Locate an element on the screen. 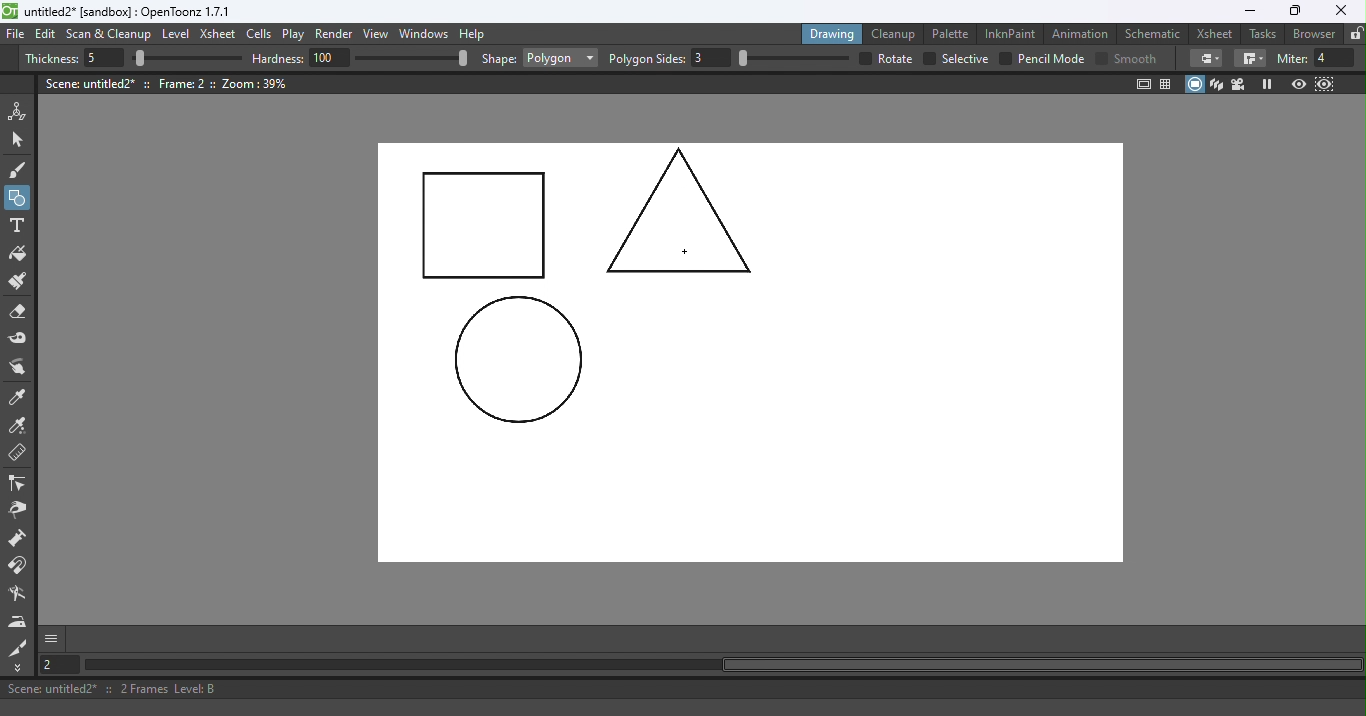  Canvas details is located at coordinates (169, 83).